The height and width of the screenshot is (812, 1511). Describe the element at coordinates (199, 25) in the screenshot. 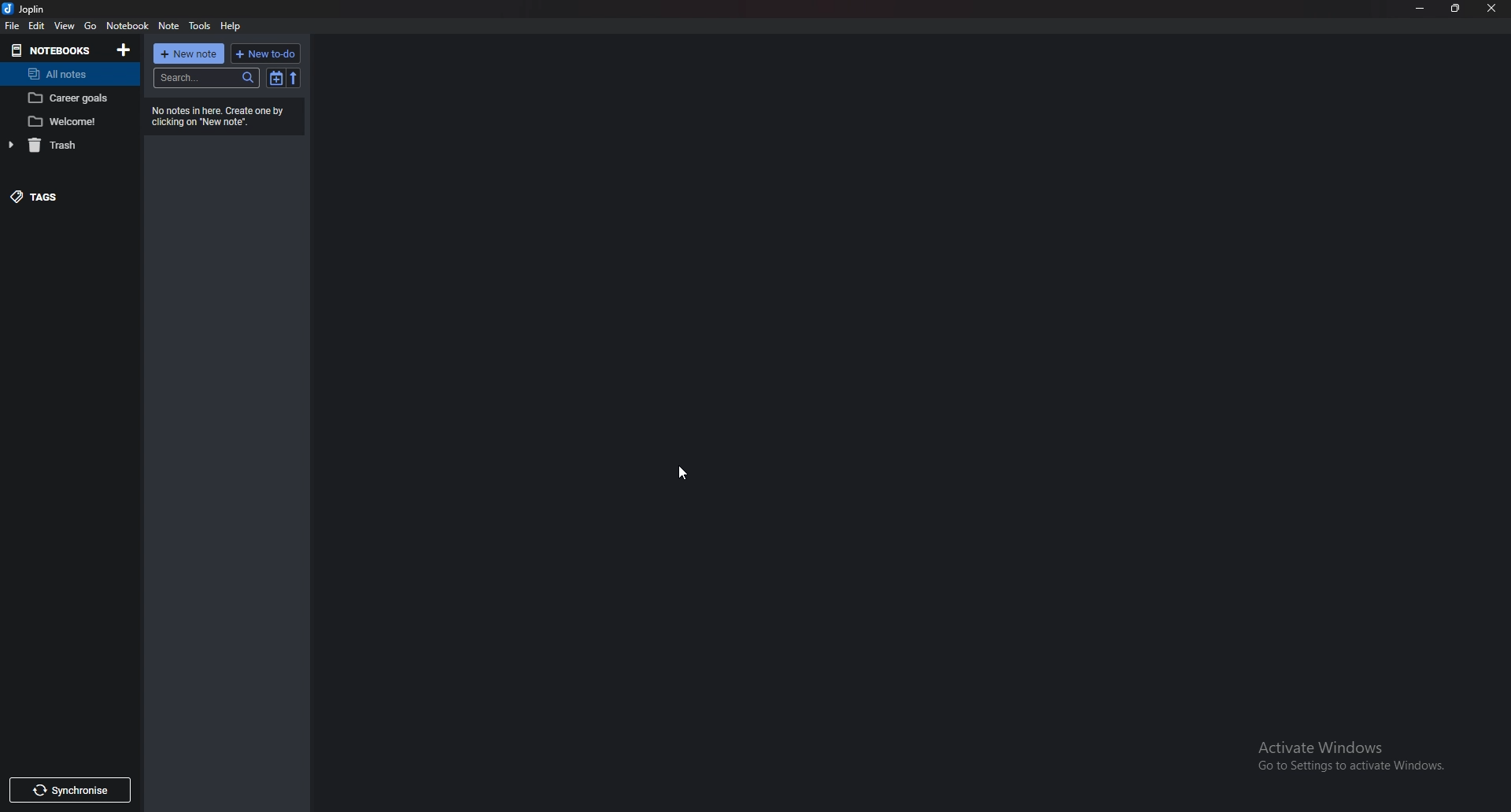

I see `tools` at that location.